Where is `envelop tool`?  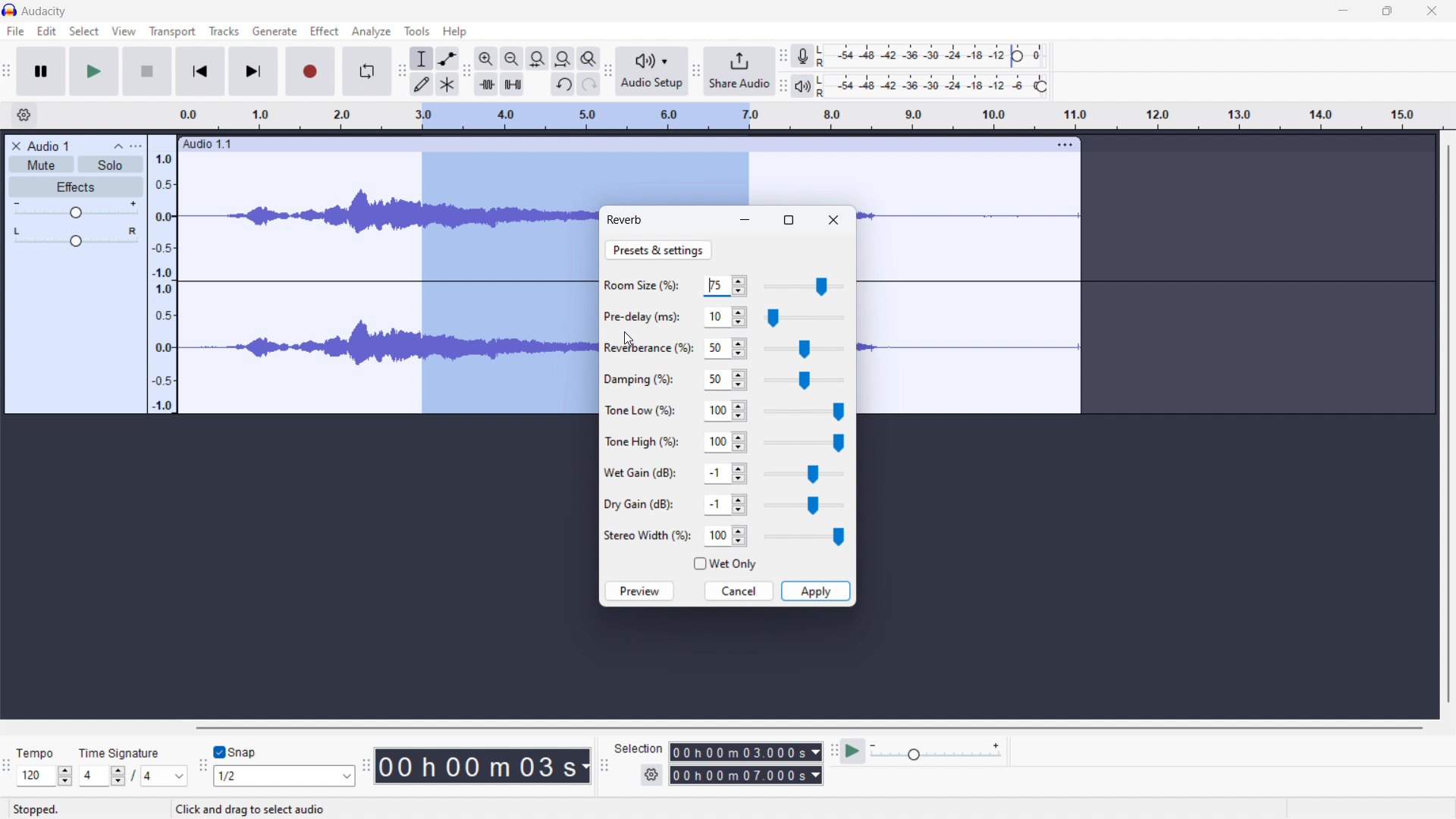 envelop tool is located at coordinates (447, 58).